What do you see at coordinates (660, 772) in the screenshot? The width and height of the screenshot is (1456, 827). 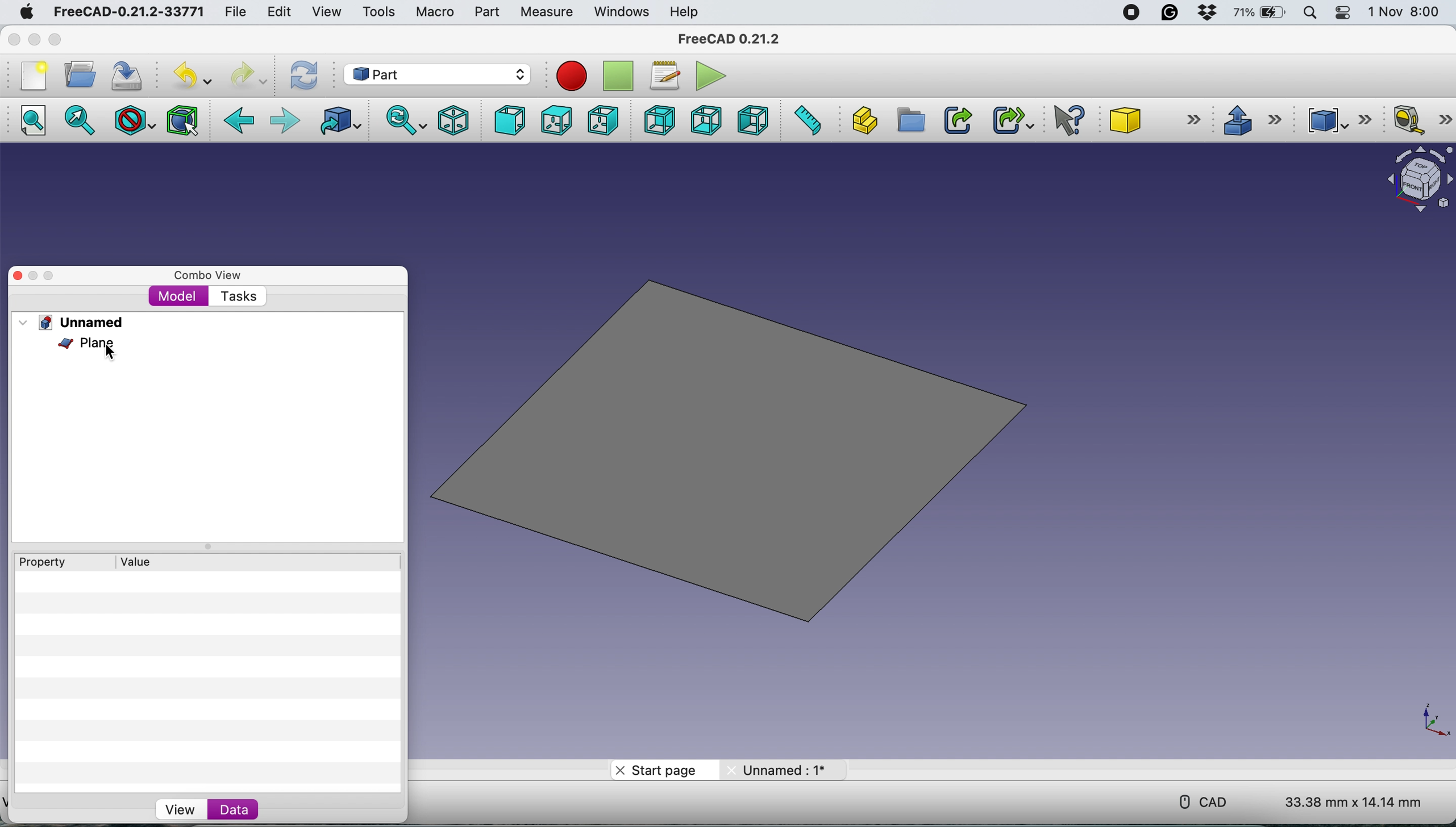 I see `start page` at bounding box center [660, 772].